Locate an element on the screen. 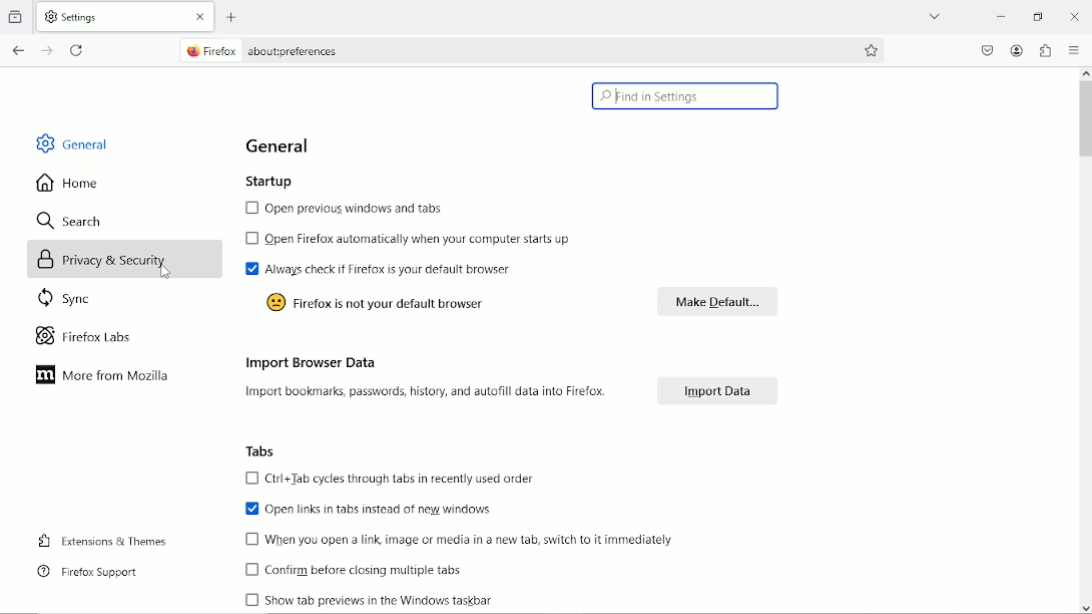 The width and height of the screenshot is (1092, 614). open application menu is located at coordinates (1077, 51).